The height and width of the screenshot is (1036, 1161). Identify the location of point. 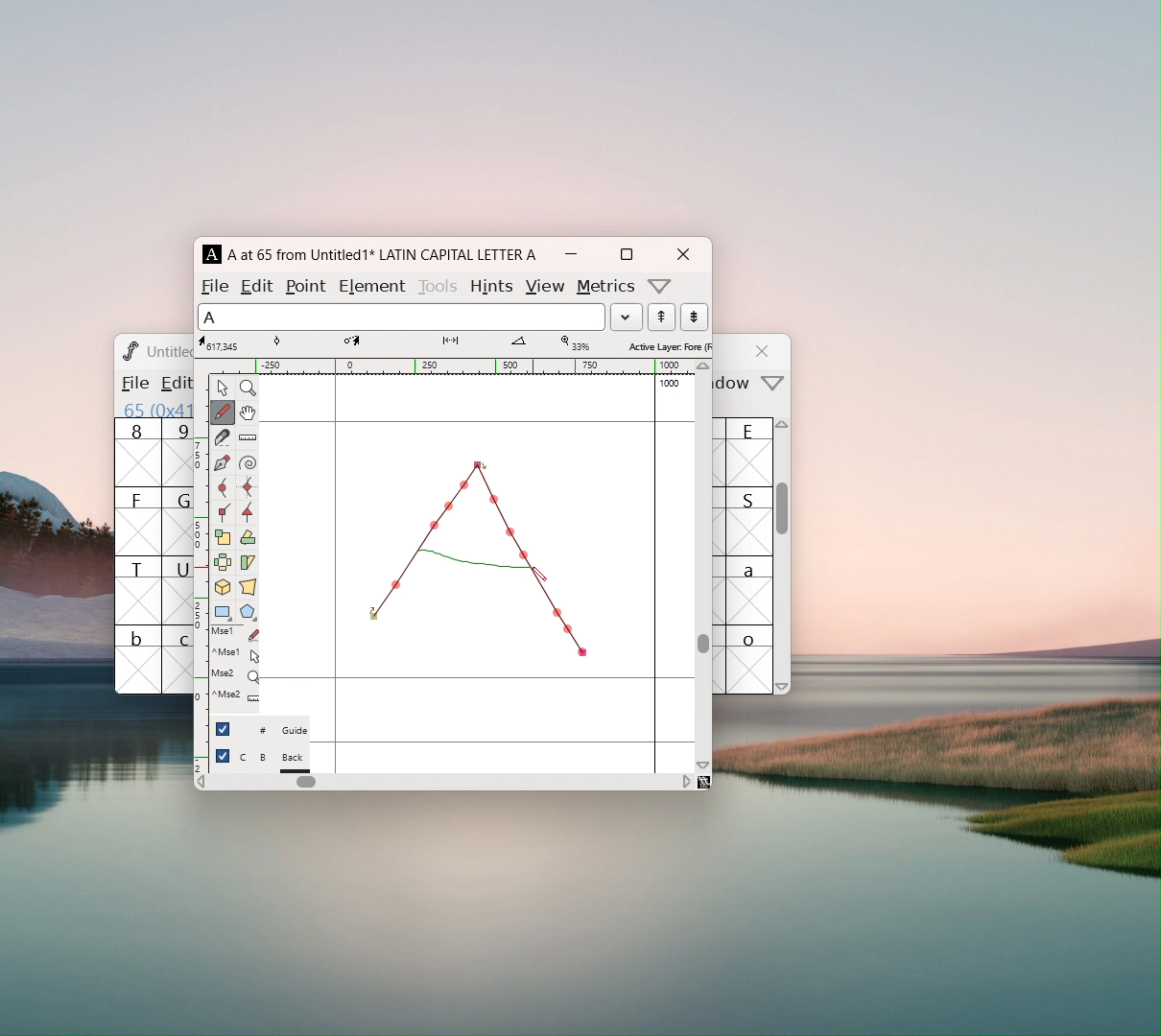
(308, 286).